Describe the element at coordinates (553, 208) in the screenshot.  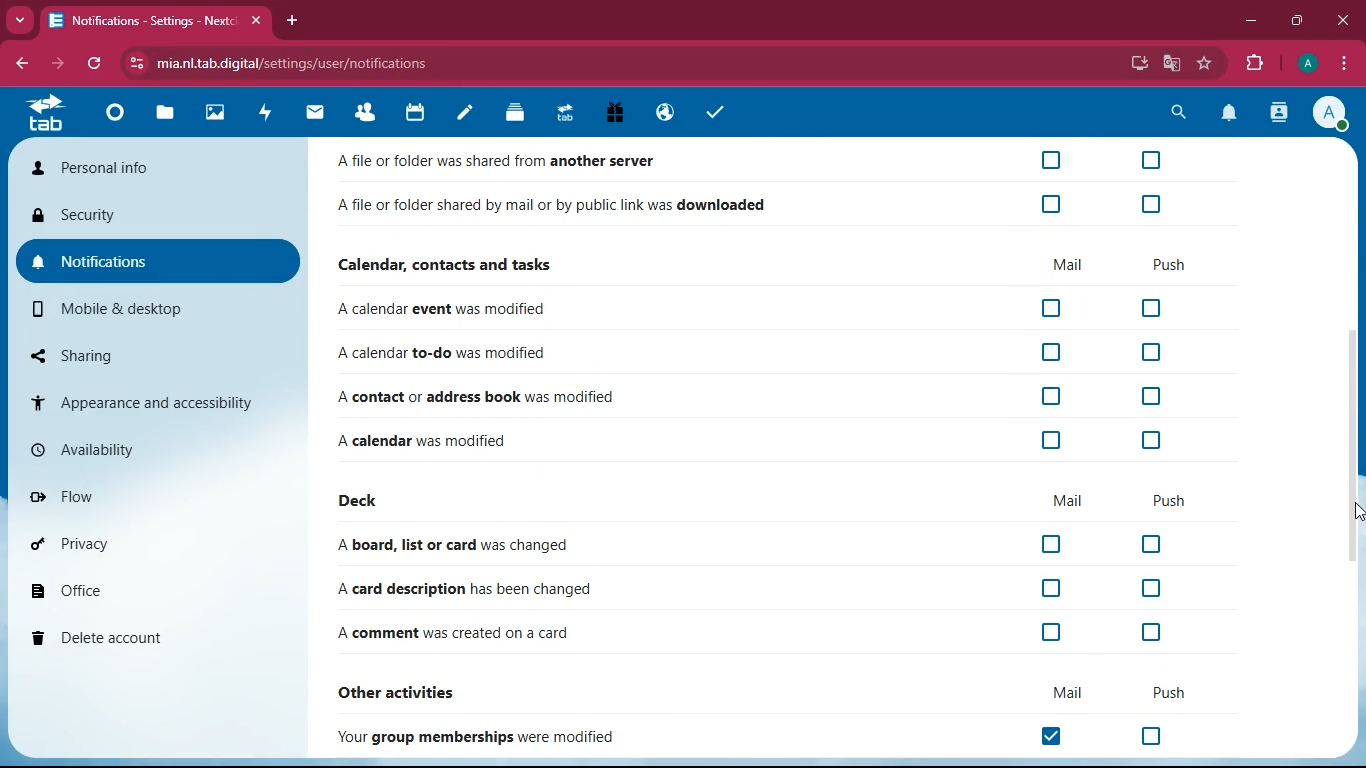
I see `A file or folder shared by mail or by public link was downloaded` at that location.